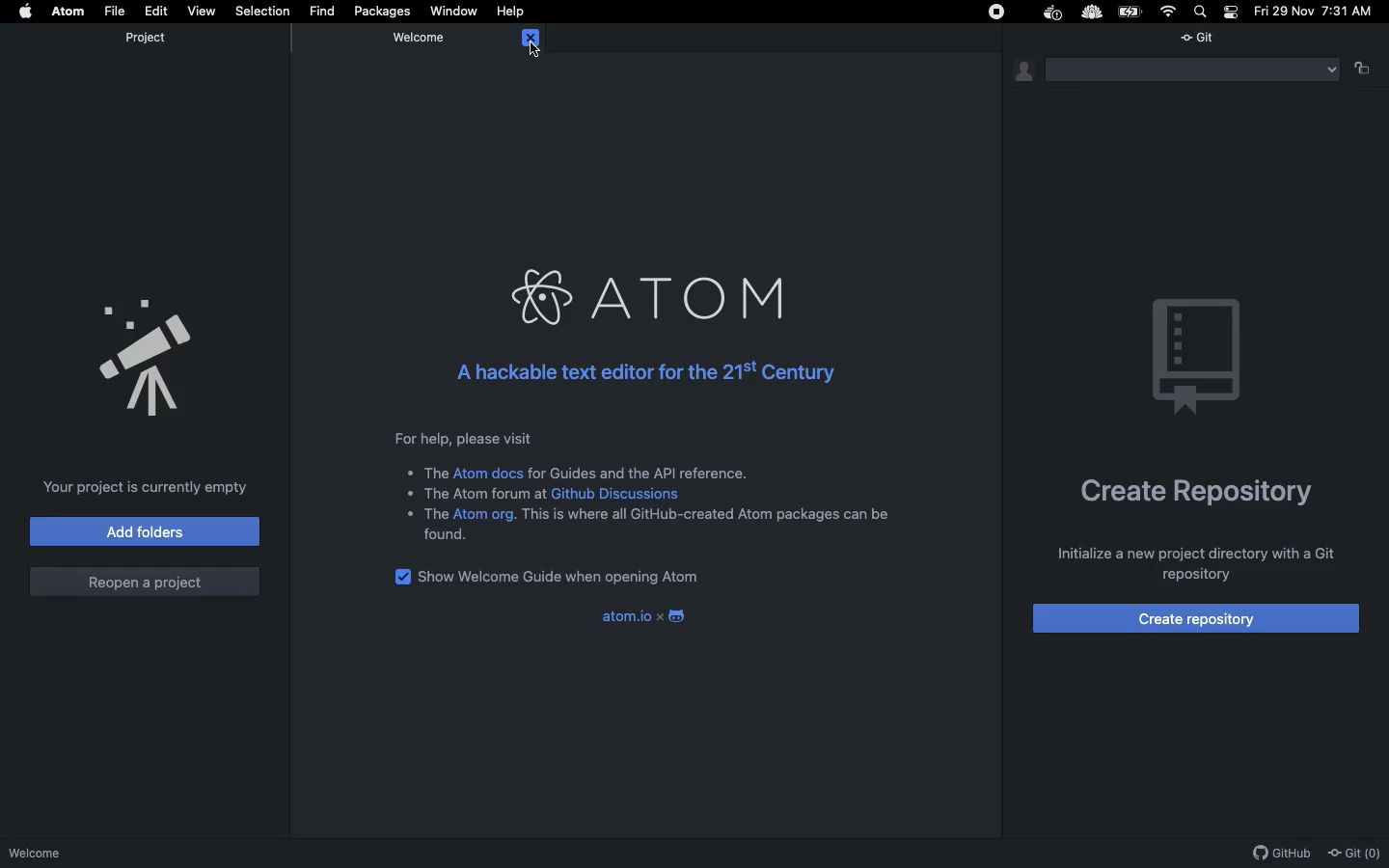 The height and width of the screenshot is (868, 1389). Describe the element at coordinates (1133, 12) in the screenshot. I see `Charge` at that location.